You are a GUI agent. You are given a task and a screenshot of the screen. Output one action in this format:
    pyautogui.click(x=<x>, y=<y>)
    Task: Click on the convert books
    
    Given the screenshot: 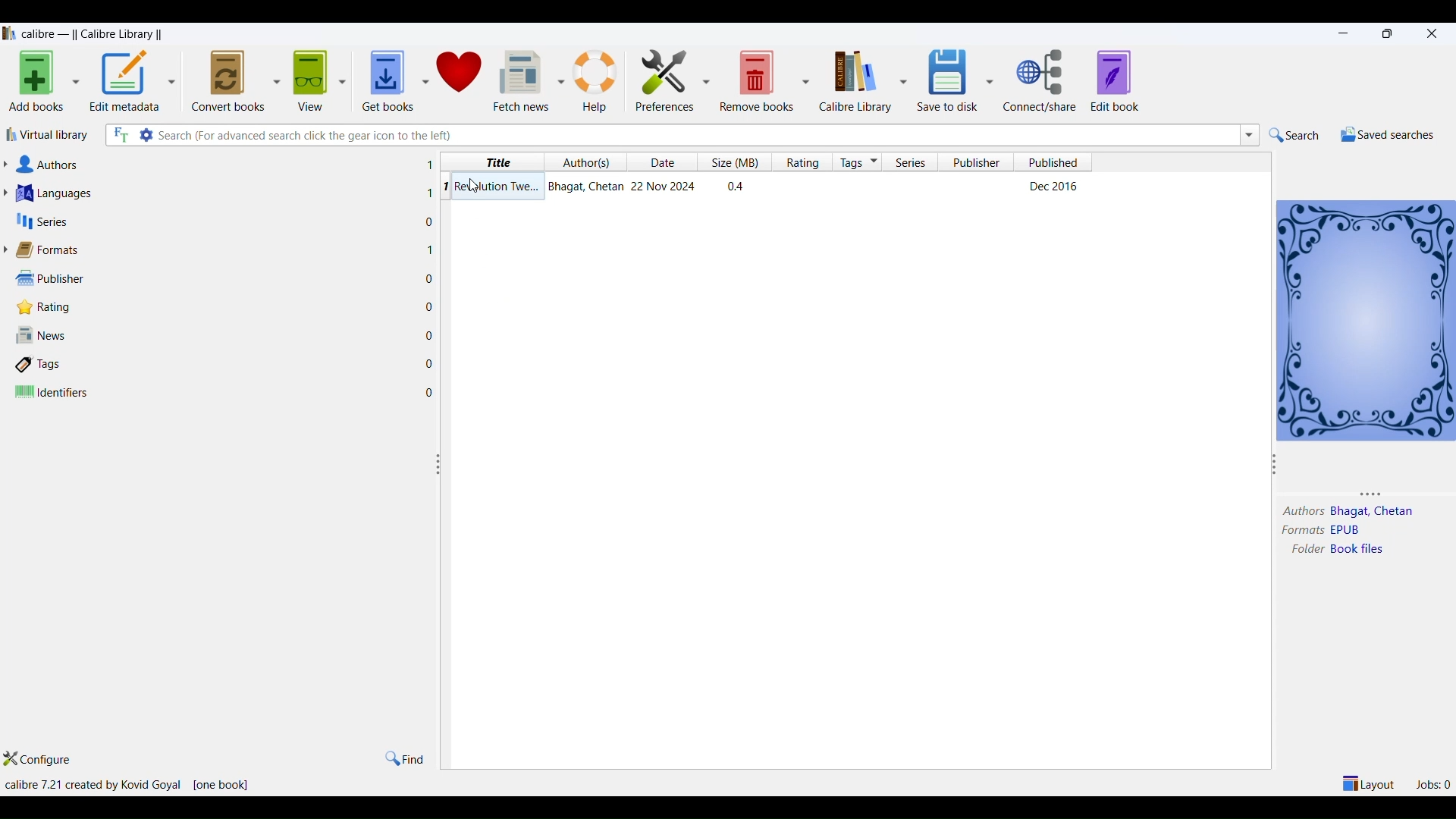 What is the action you would take?
    pyautogui.click(x=227, y=78)
    